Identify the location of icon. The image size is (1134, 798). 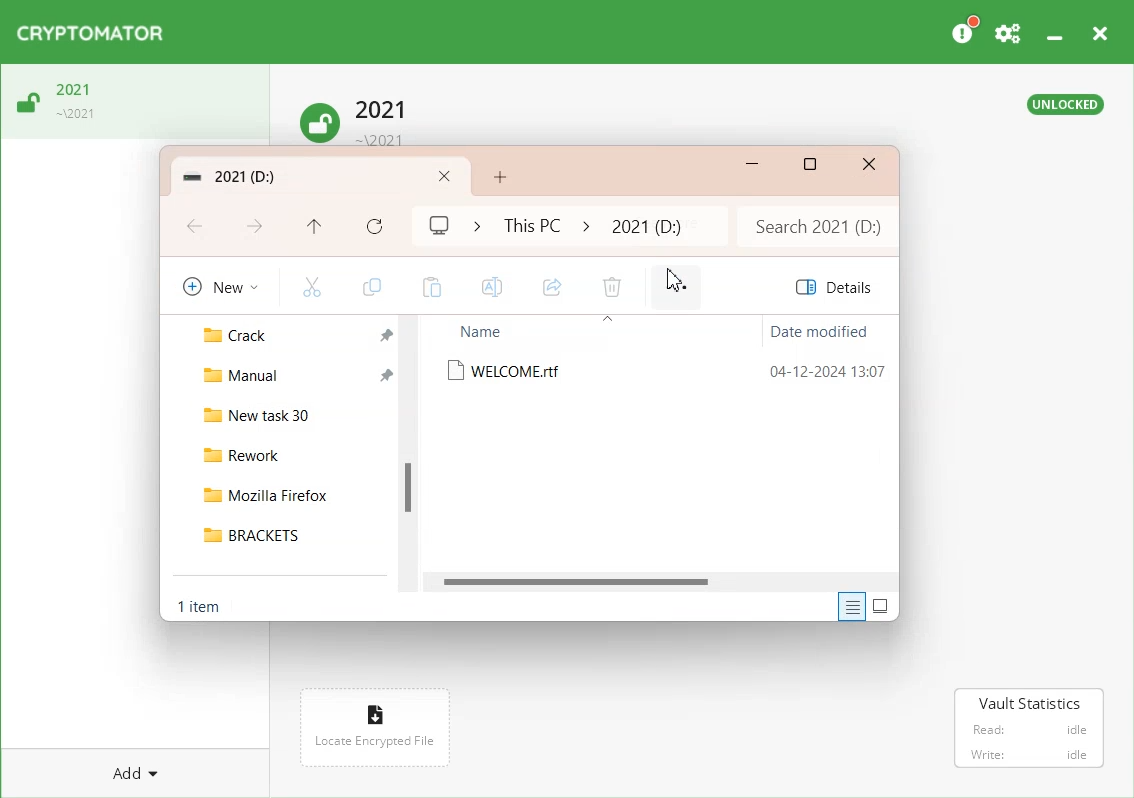
(584, 226).